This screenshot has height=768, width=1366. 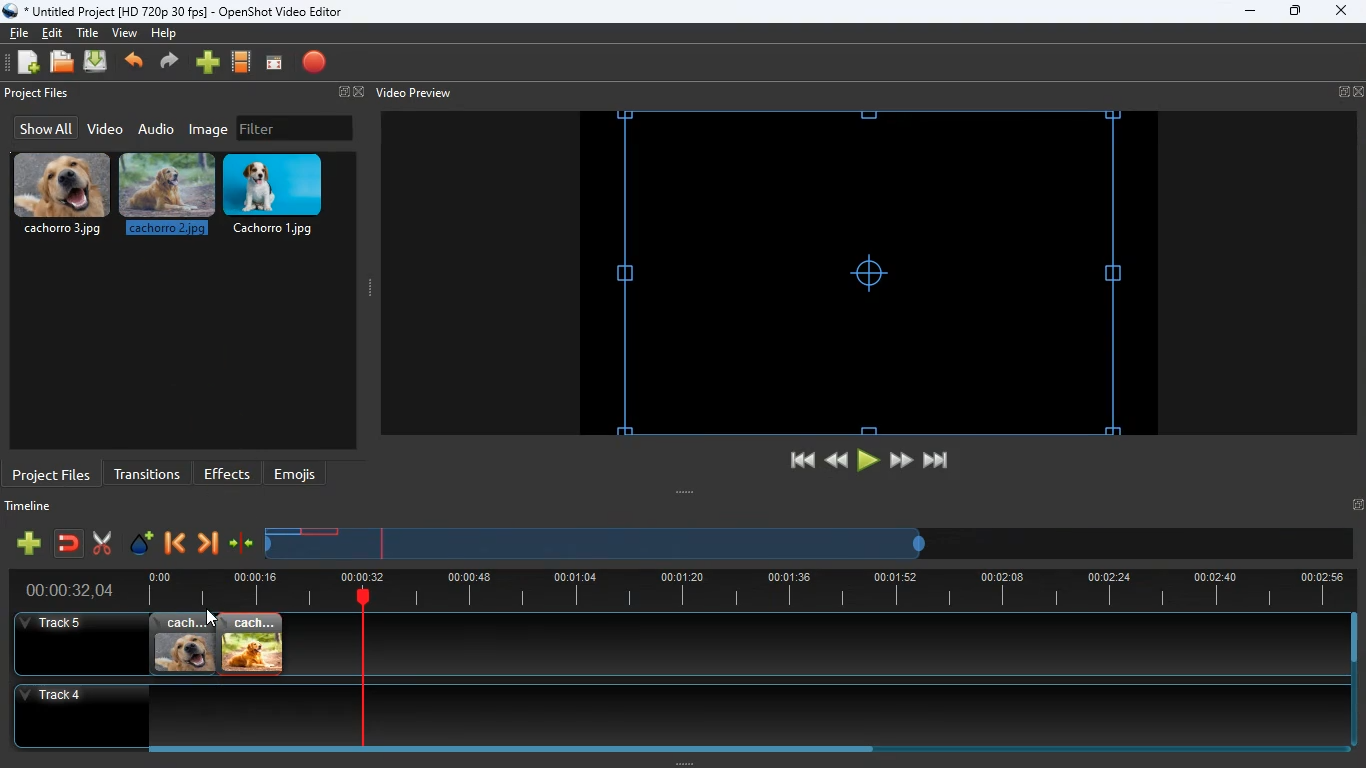 I want to click on end, so click(x=938, y=464).